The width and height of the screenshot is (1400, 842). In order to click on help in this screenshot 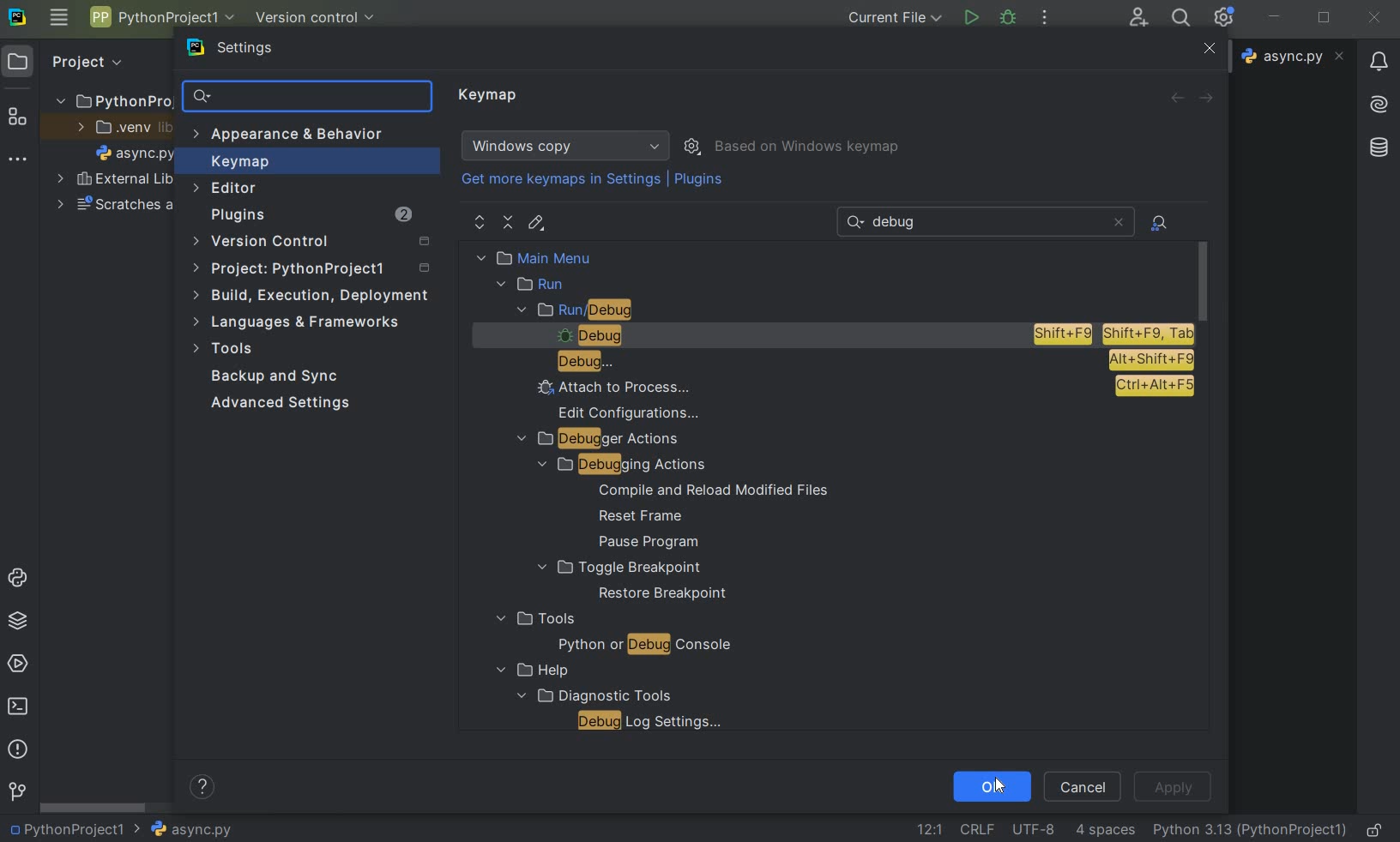, I will do `click(528, 671)`.